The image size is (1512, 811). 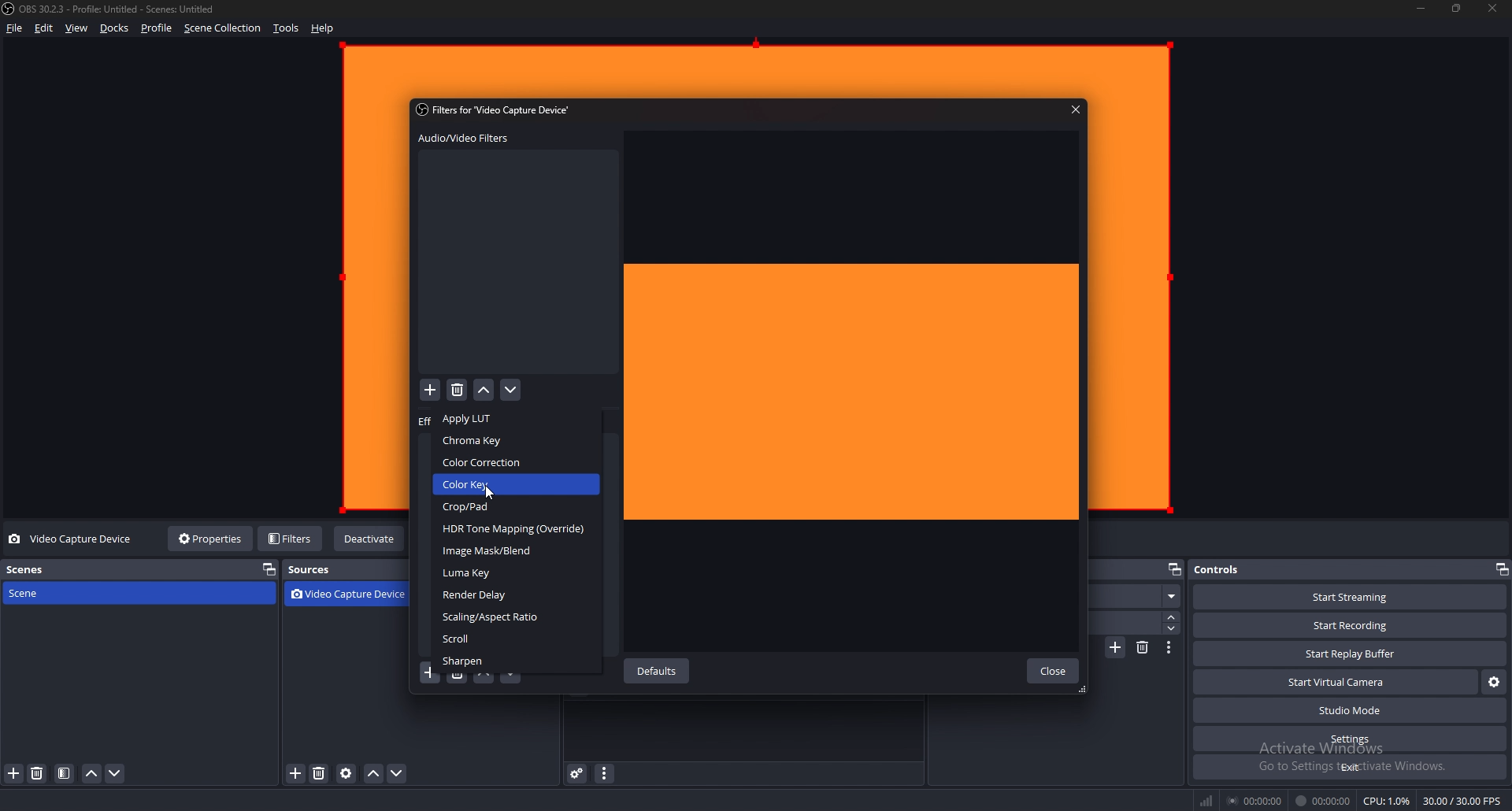 I want to click on add source, so click(x=297, y=774).